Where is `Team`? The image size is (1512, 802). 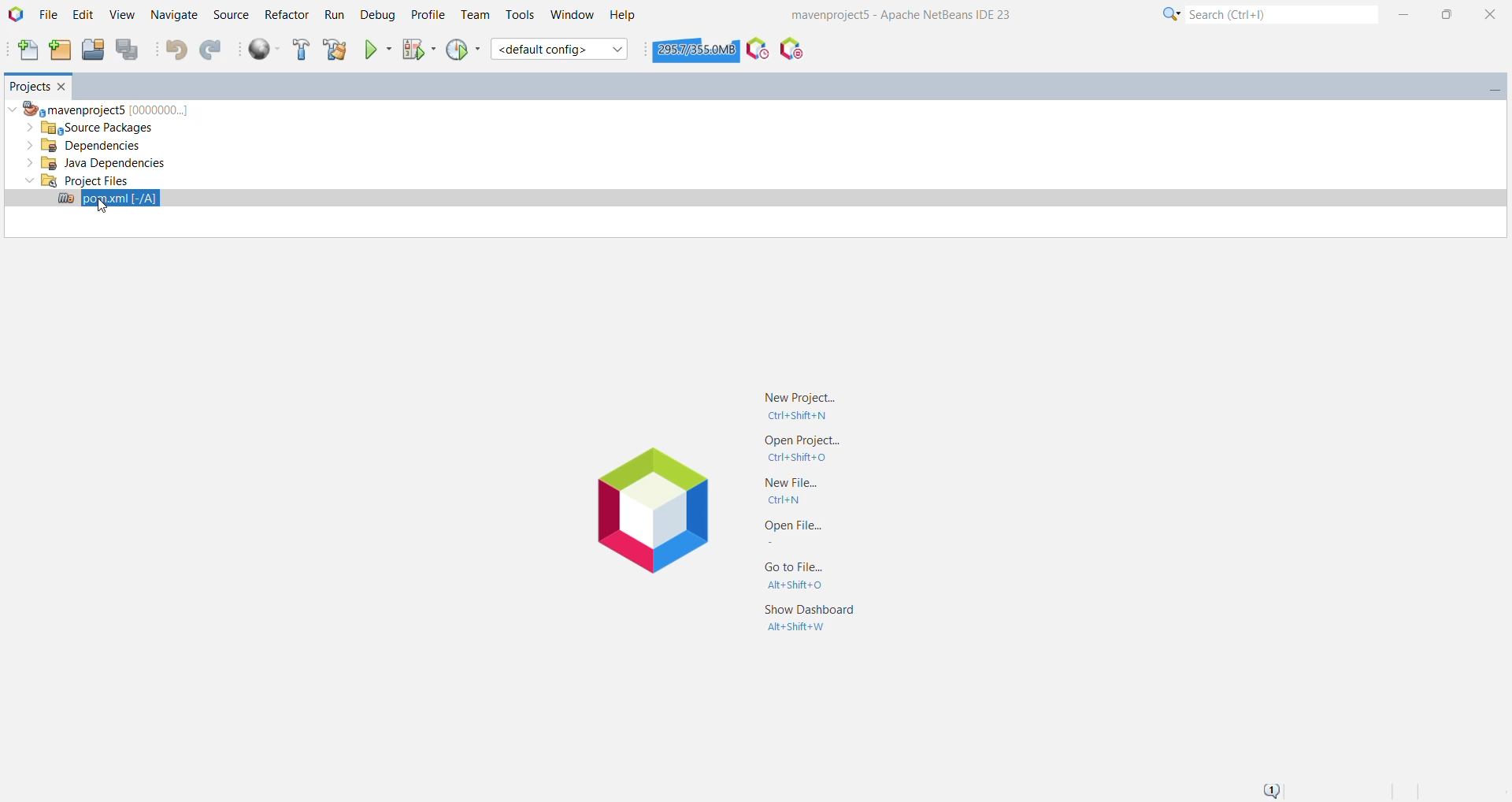
Team is located at coordinates (473, 15).